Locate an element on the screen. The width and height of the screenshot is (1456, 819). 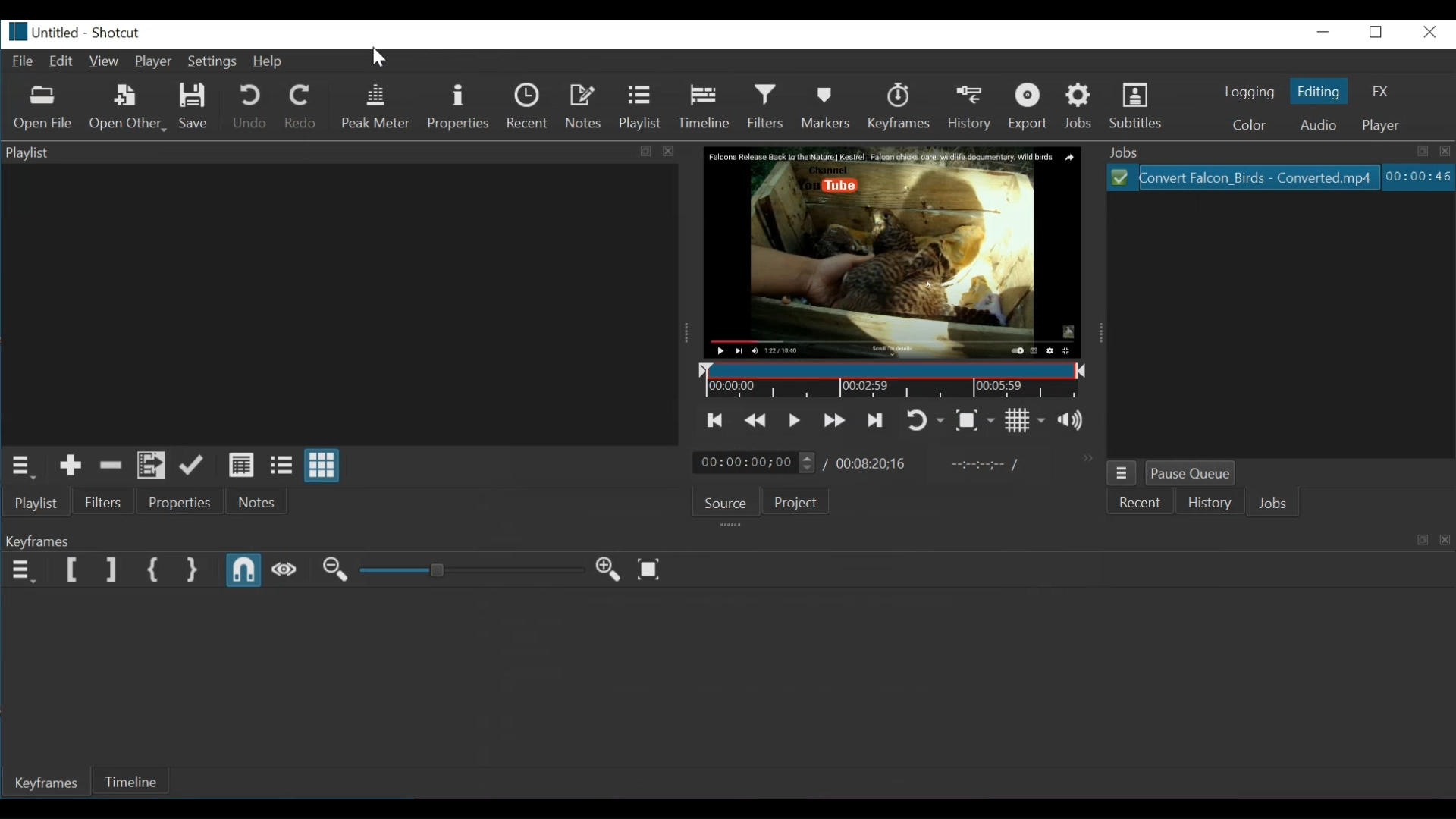
View is located at coordinates (106, 62).